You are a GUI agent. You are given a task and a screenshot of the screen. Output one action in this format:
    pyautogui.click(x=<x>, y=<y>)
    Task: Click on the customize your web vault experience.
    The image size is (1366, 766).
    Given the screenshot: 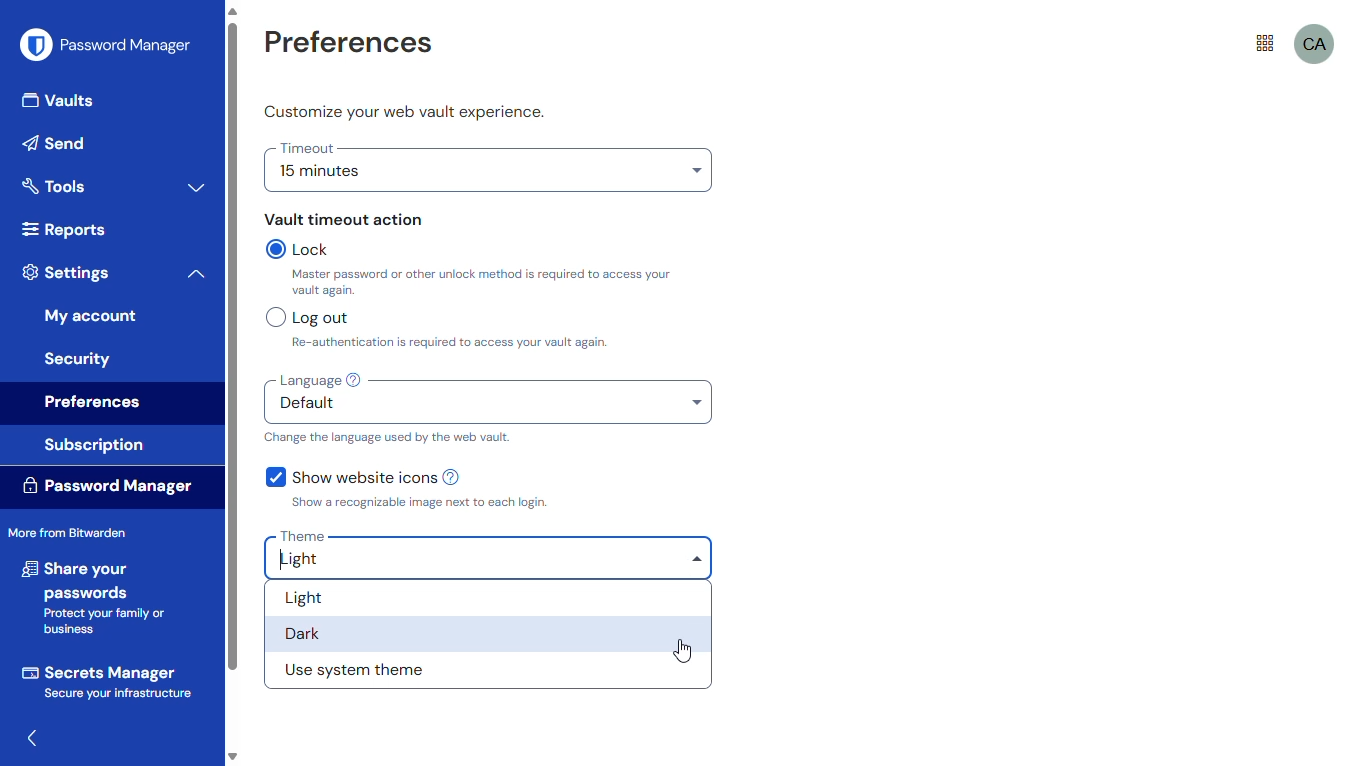 What is the action you would take?
    pyautogui.click(x=405, y=112)
    